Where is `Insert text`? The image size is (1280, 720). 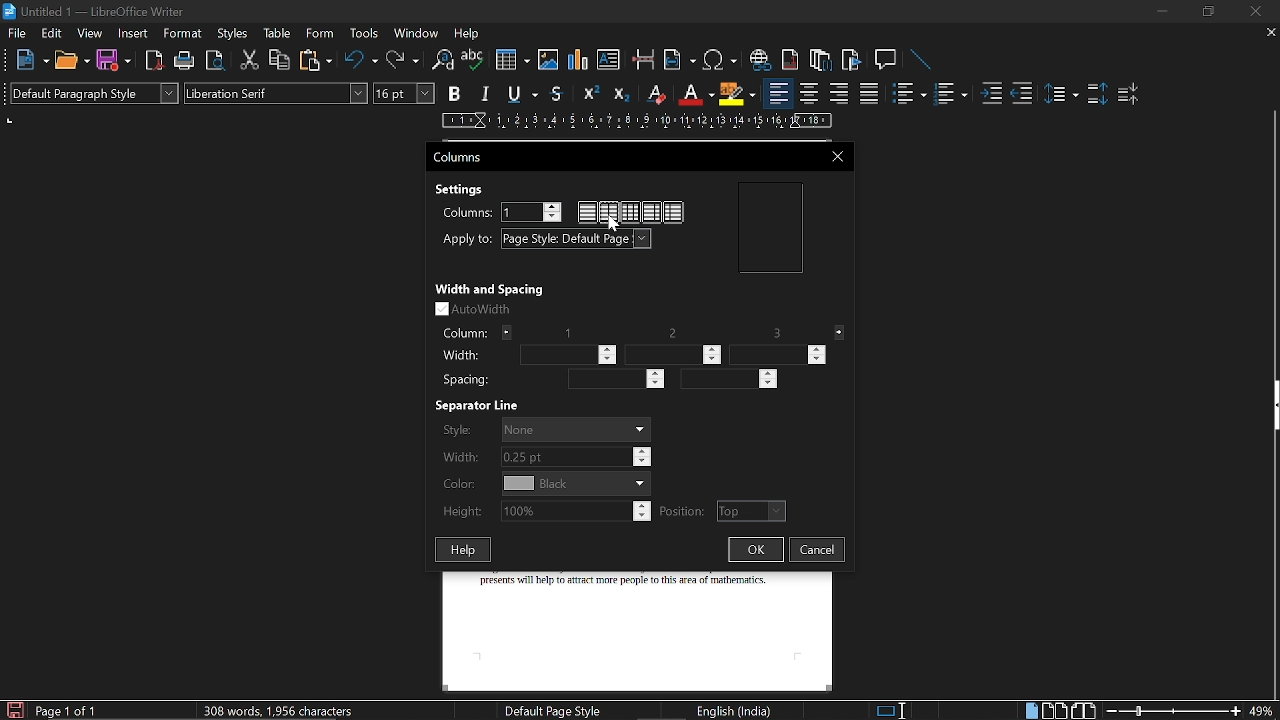 Insert text is located at coordinates (610, 61).